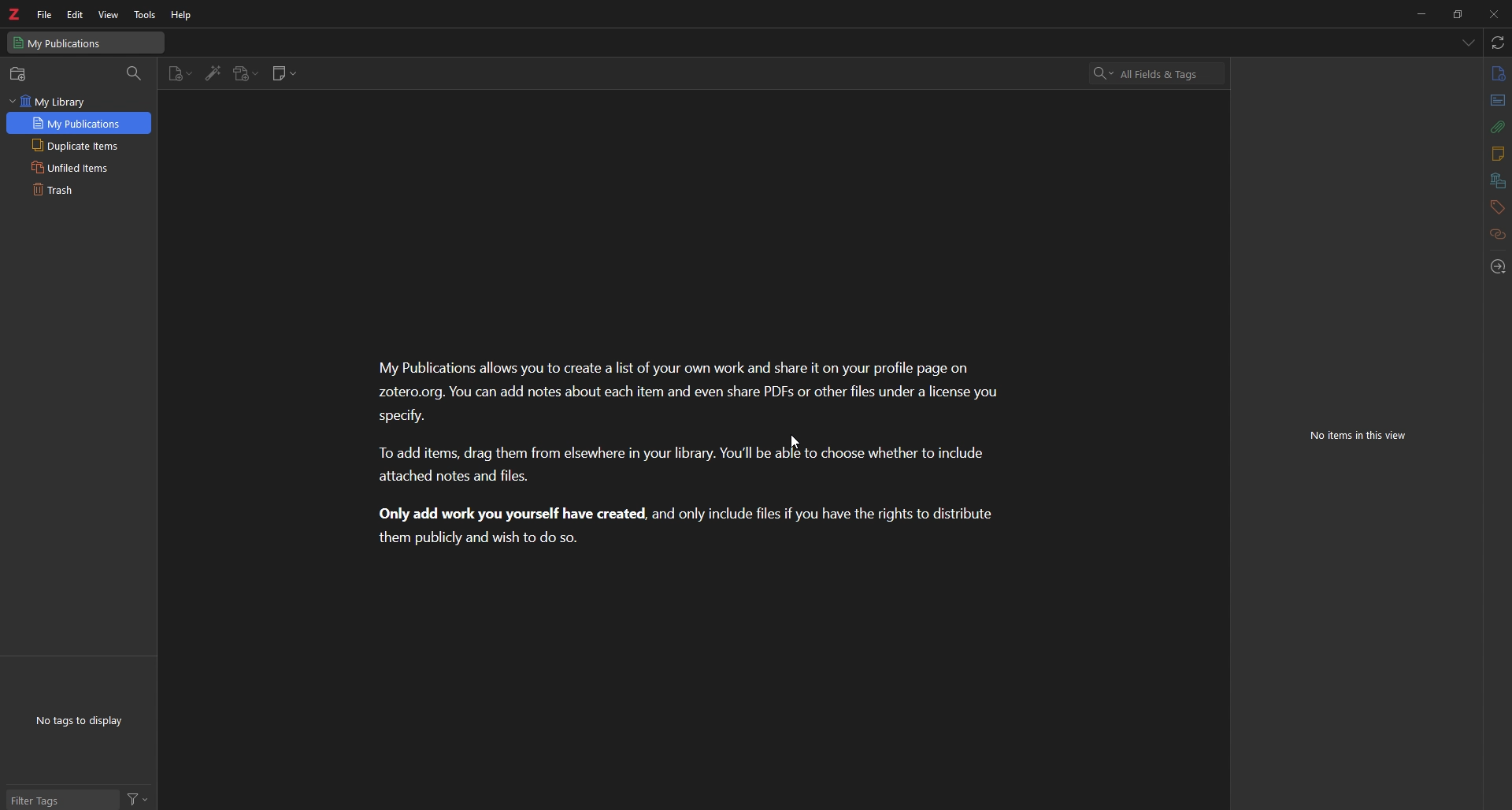 The image size is (1512, 810). I want to click on Duplicate Items, so click(76, 166).